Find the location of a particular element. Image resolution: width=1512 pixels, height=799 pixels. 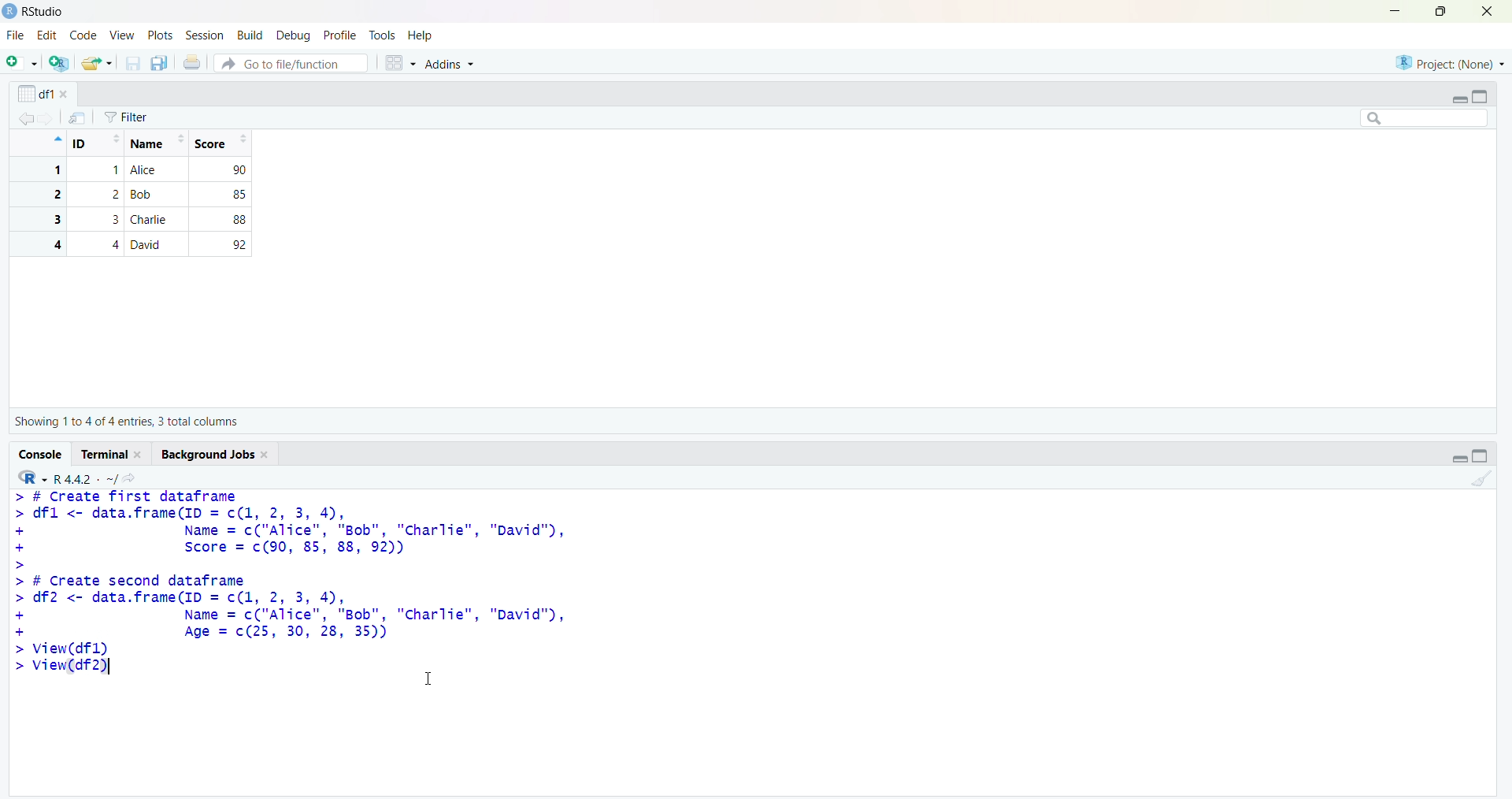

icon is located at coordinates (57, 139).